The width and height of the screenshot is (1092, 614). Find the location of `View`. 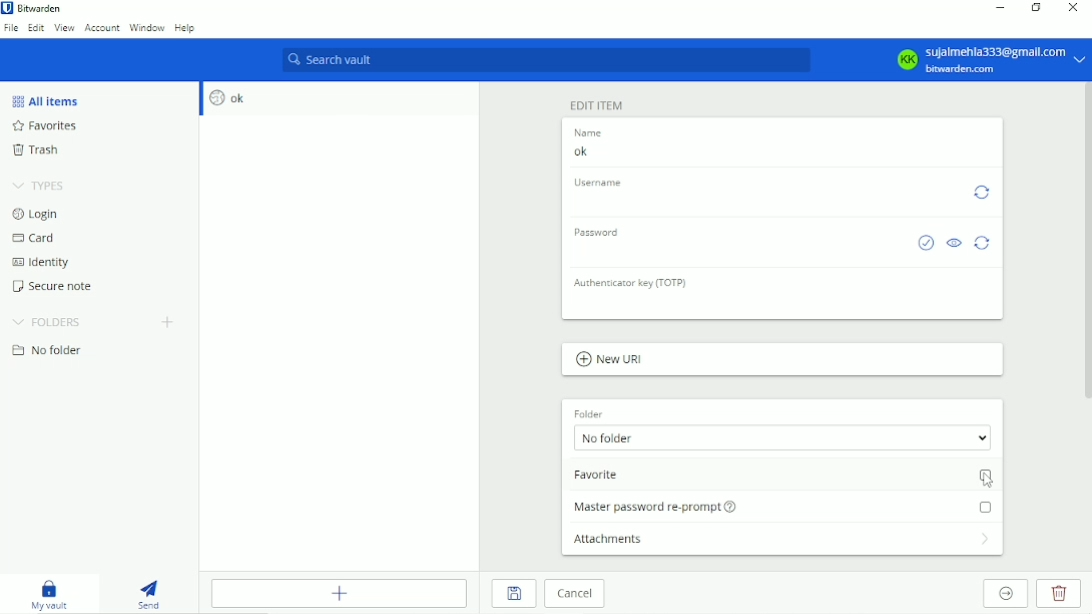

View is located at coordinates (65, 29).